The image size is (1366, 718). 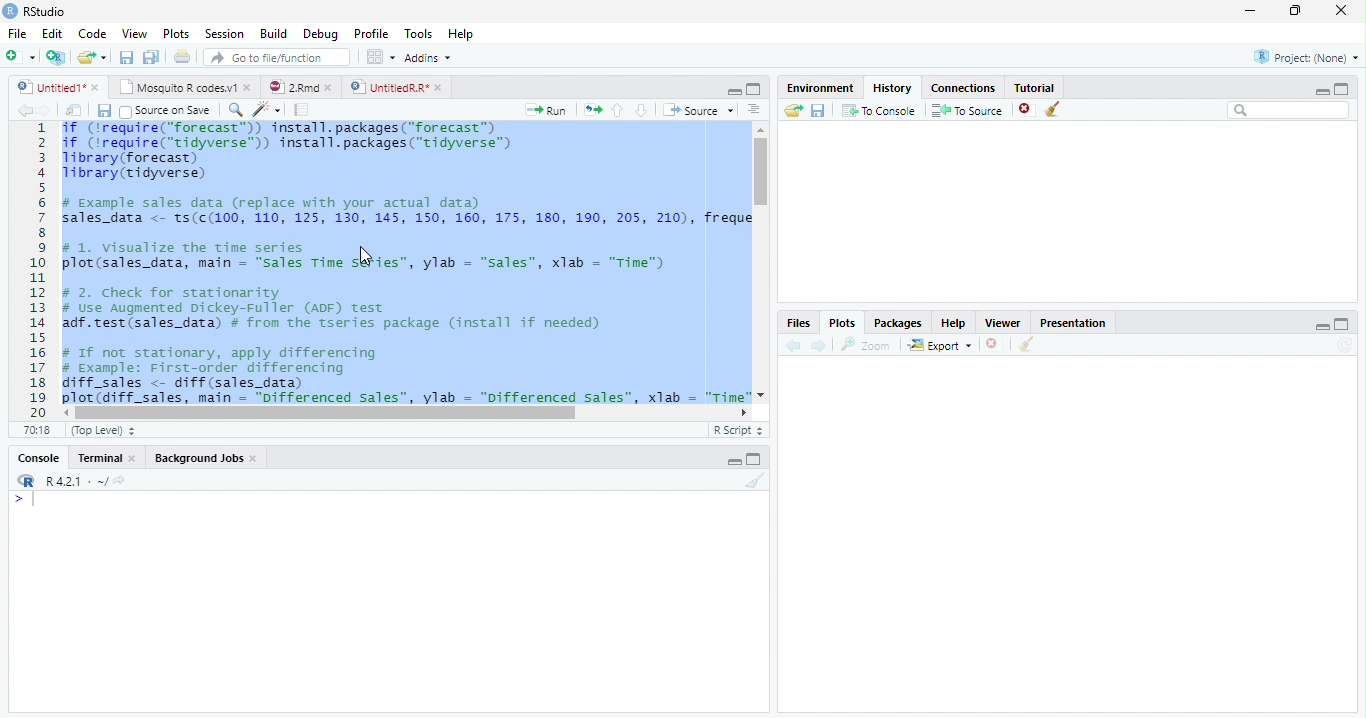 I want to click on Clean, so click(x=753, y=481).